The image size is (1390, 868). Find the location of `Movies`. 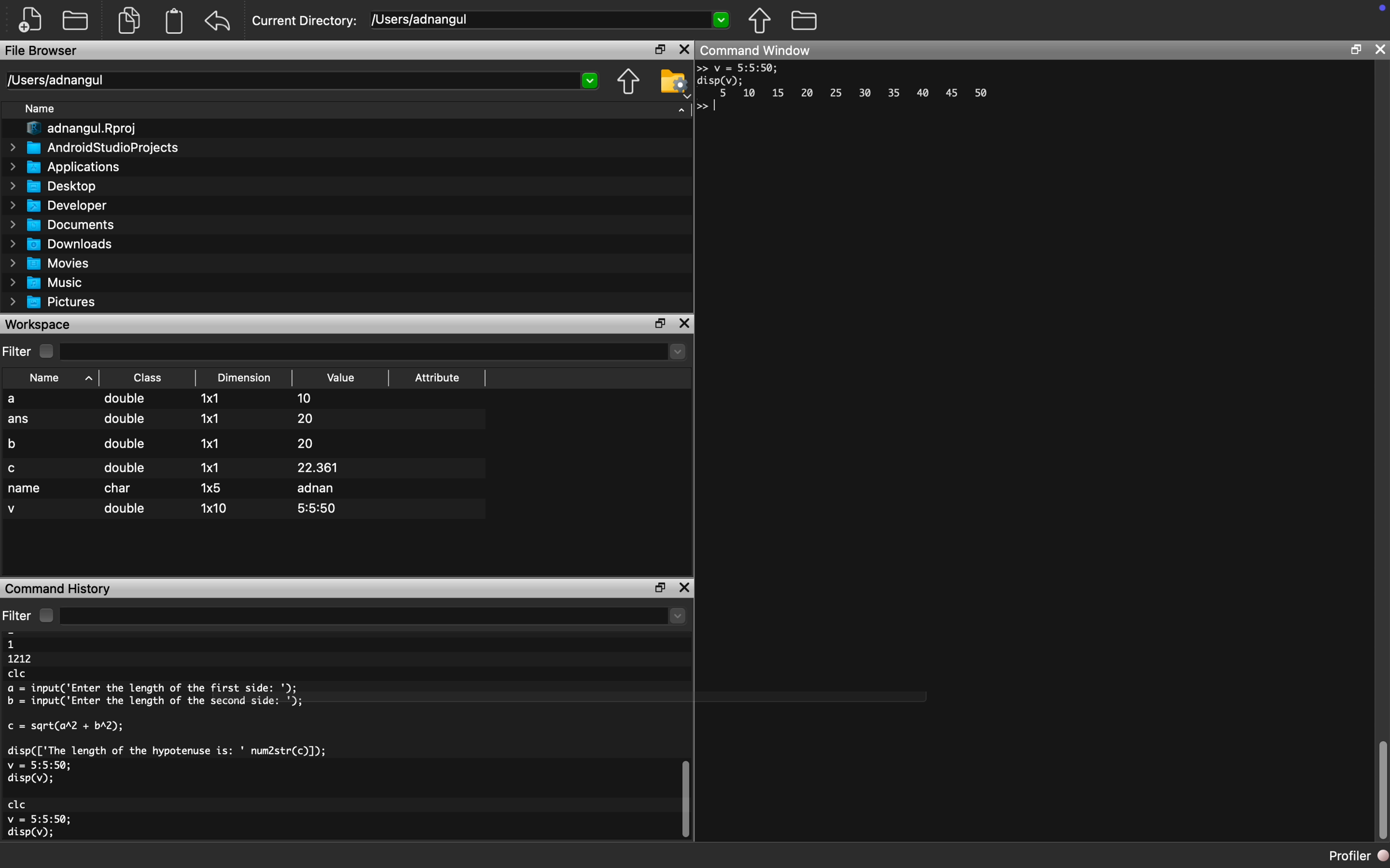

Movies is located at coordinates (48, 263).